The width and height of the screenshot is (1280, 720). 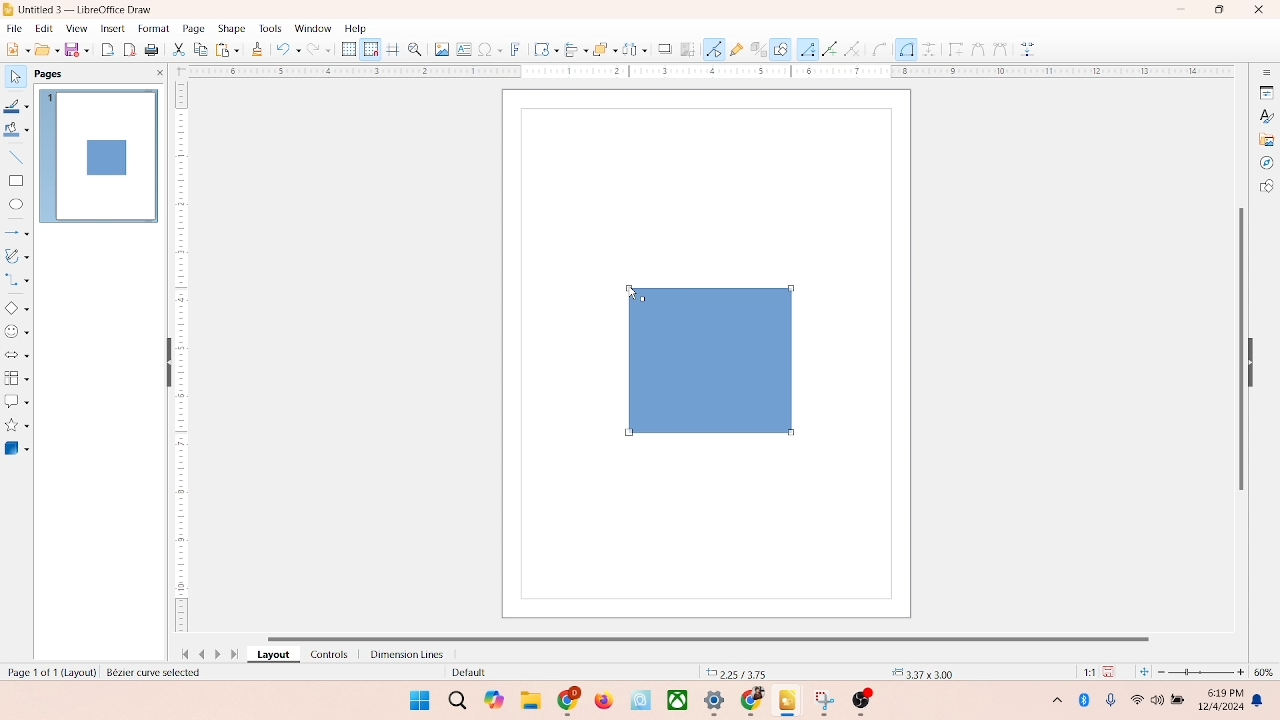 I want to click on tools, so click(x=269, y=28).